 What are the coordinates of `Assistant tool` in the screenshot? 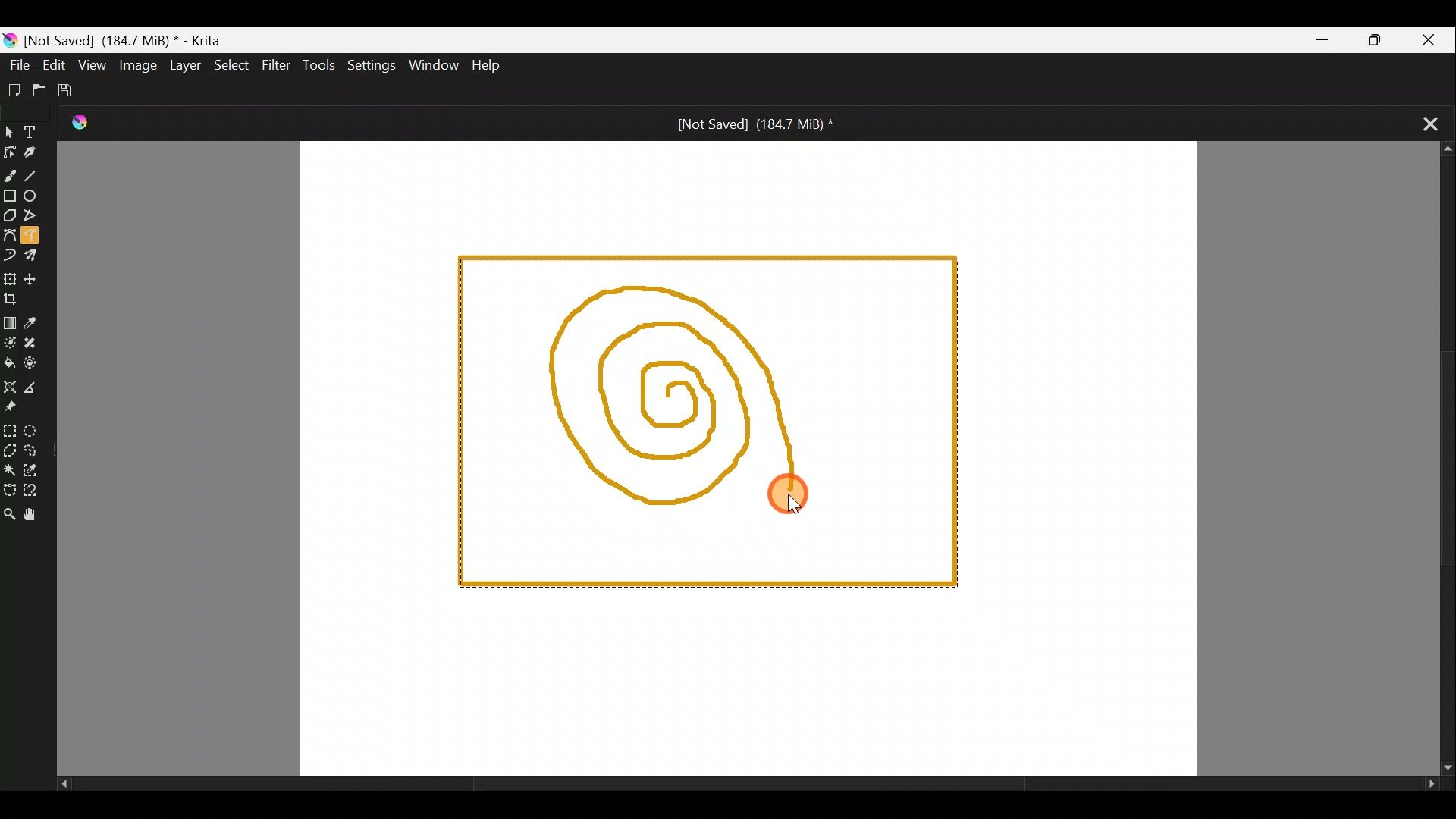 It's located at (9, 386).